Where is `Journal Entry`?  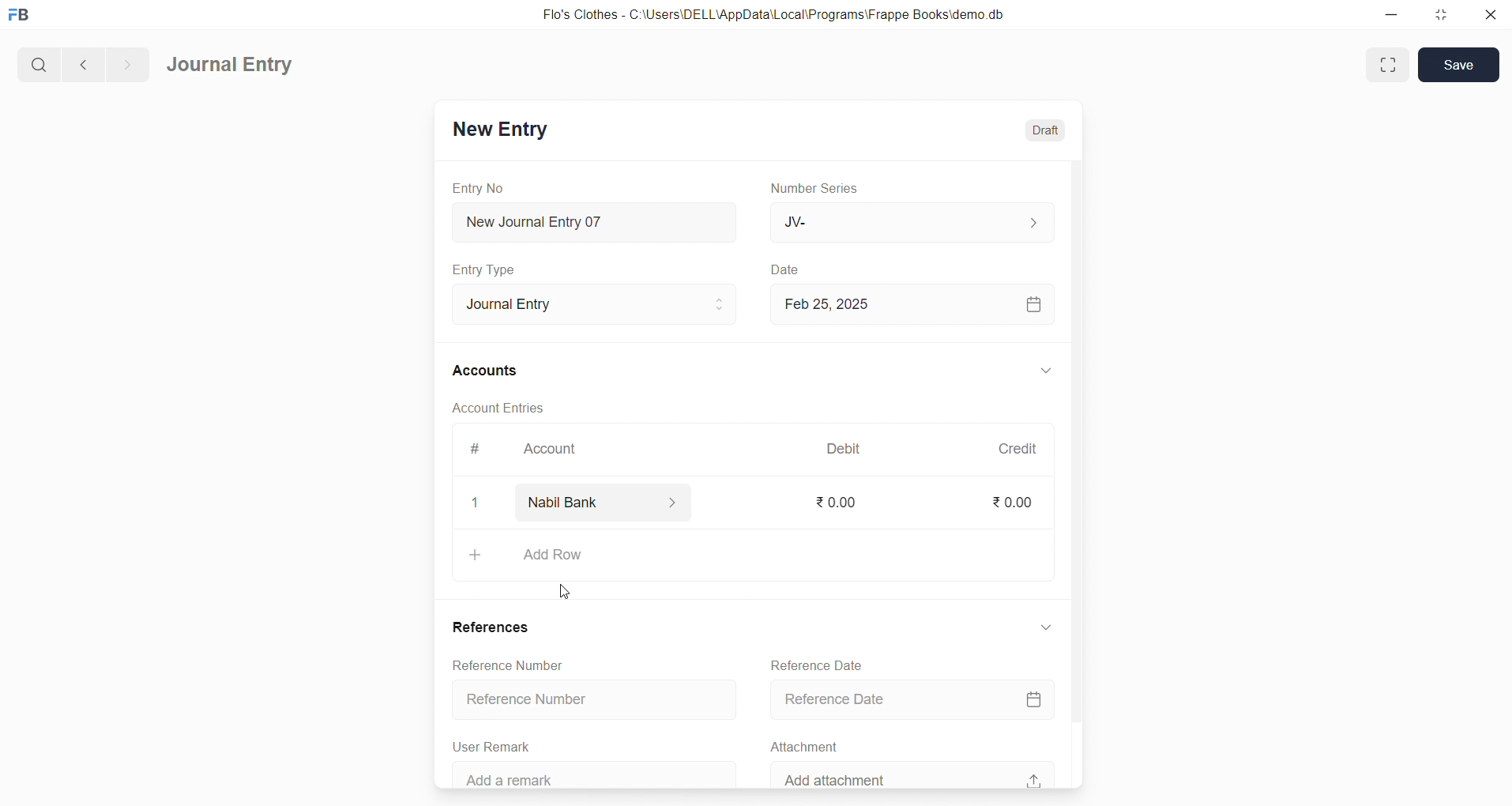 Journal Entry is located at coordinates (231, 66).